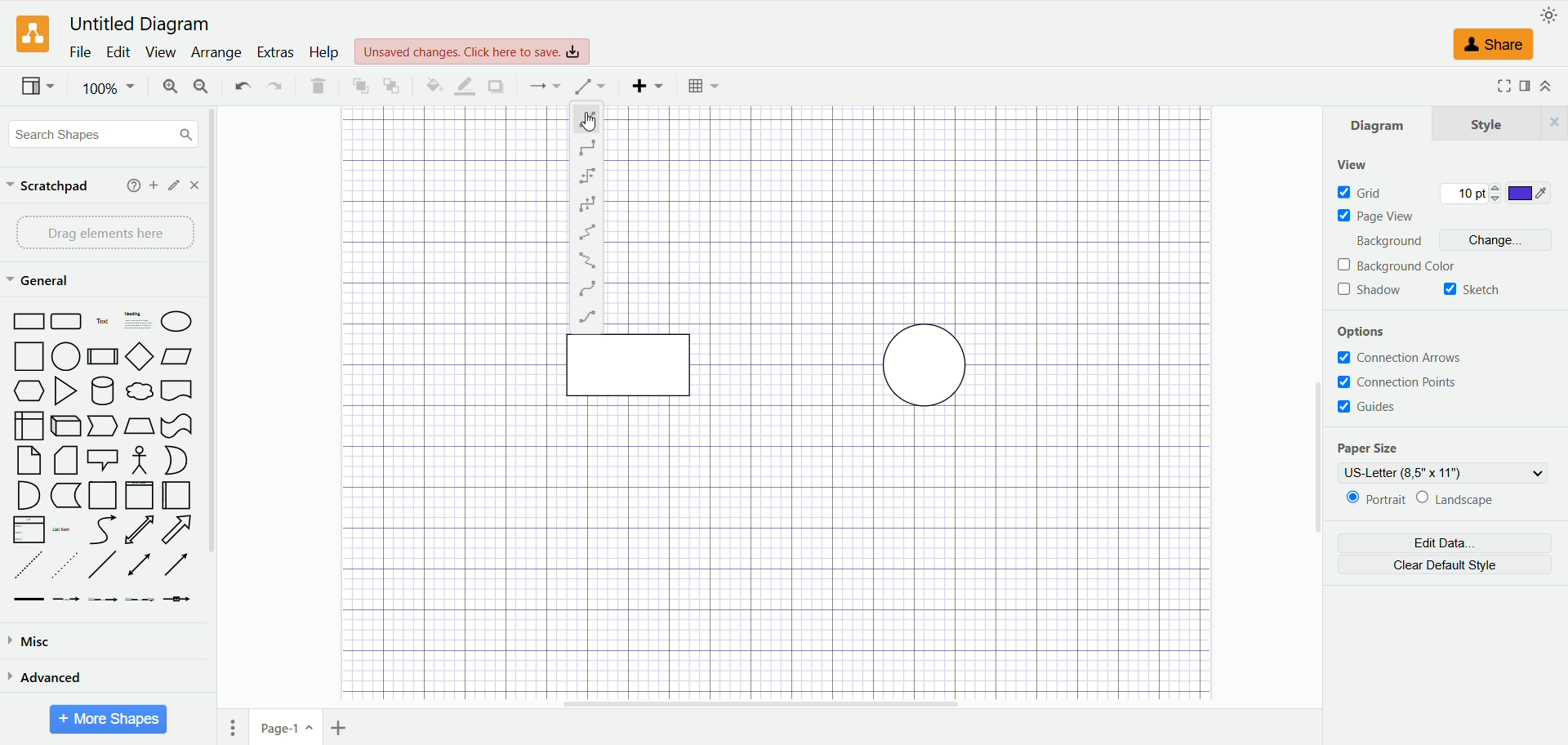  Describe the element at coordinates (239, 85) in the screenshot. I see `undo` at that location.